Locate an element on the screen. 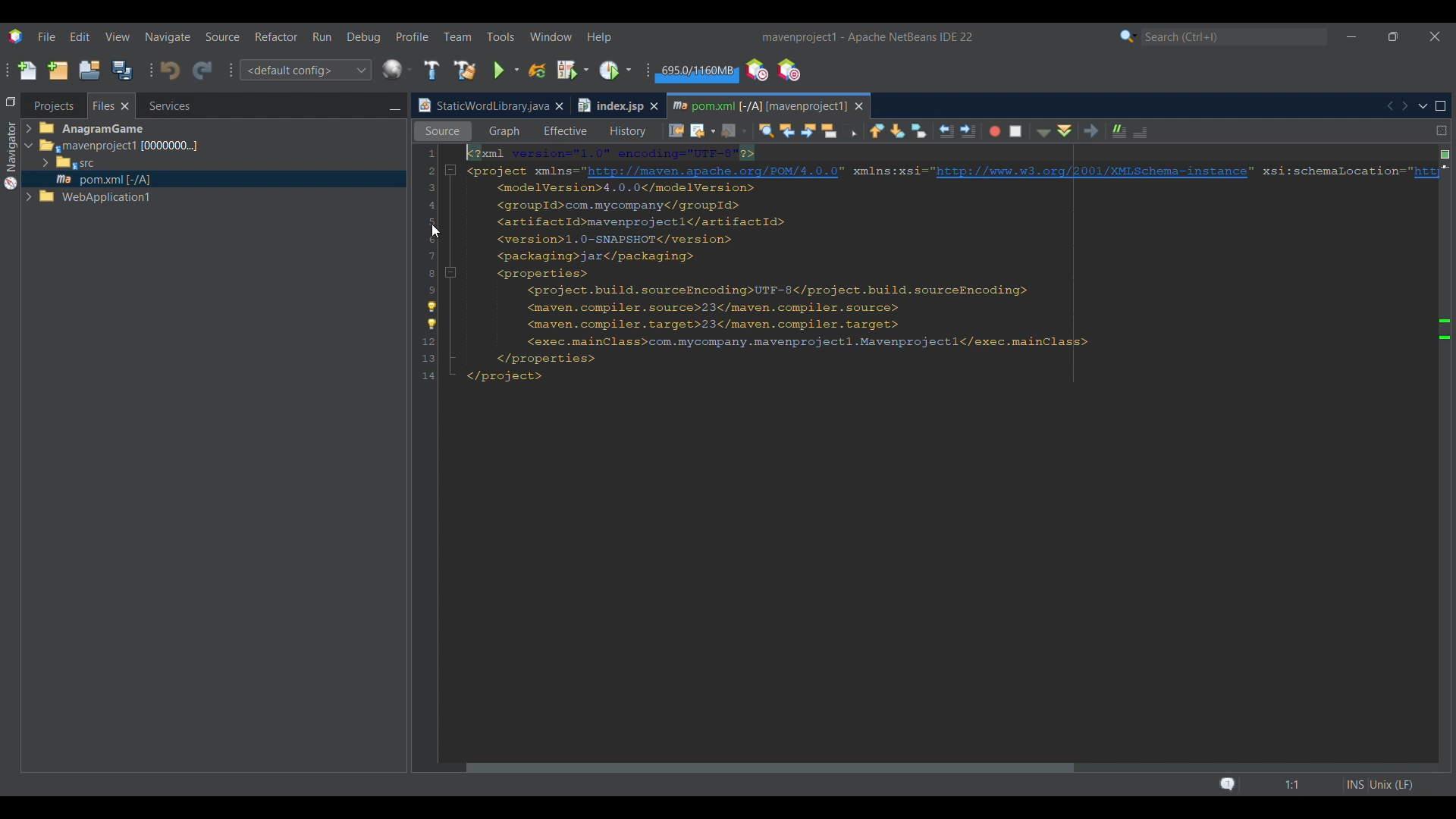  Reload is located at coordinates (538, 71).